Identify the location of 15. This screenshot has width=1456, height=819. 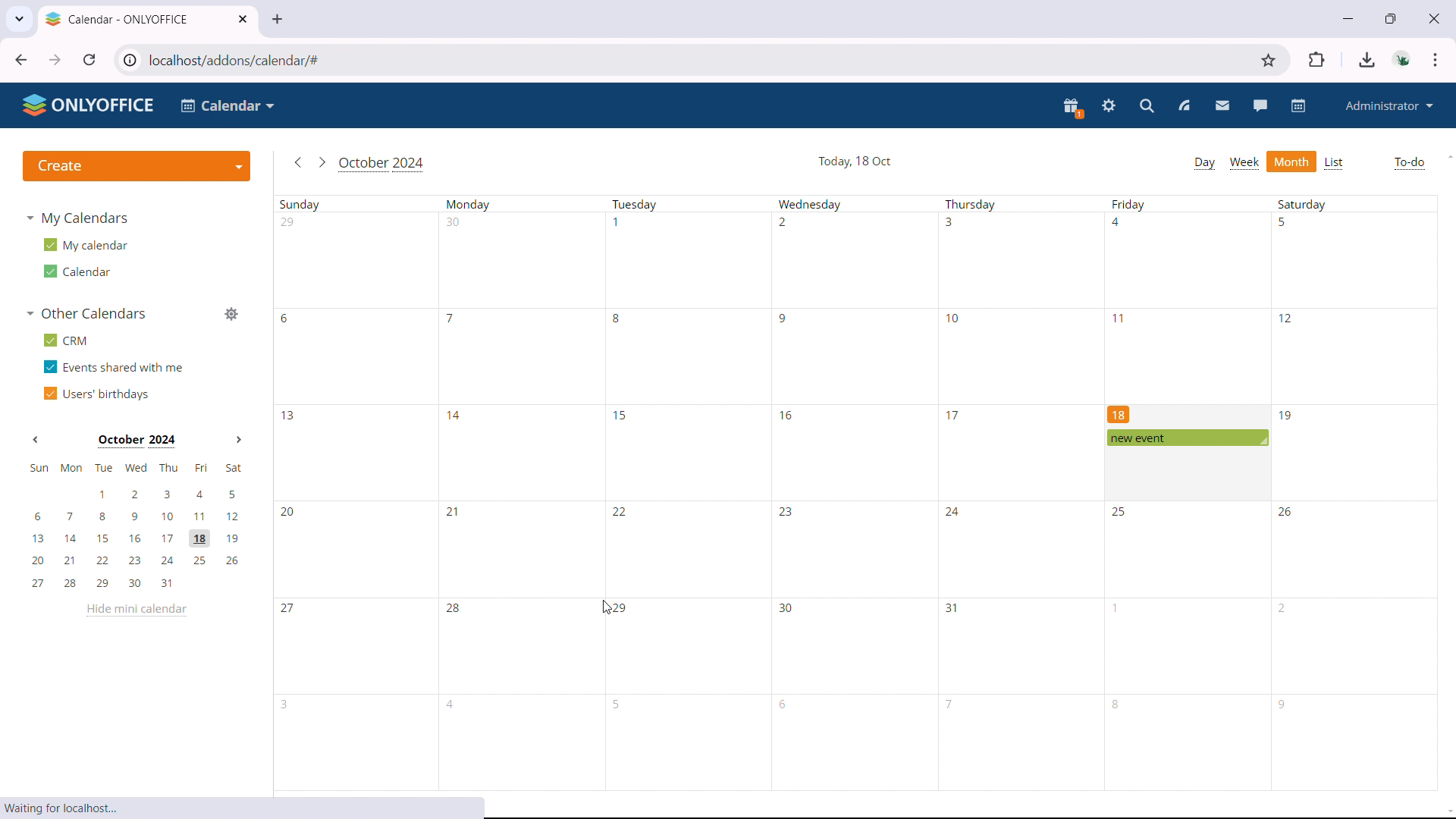
(621, 415).